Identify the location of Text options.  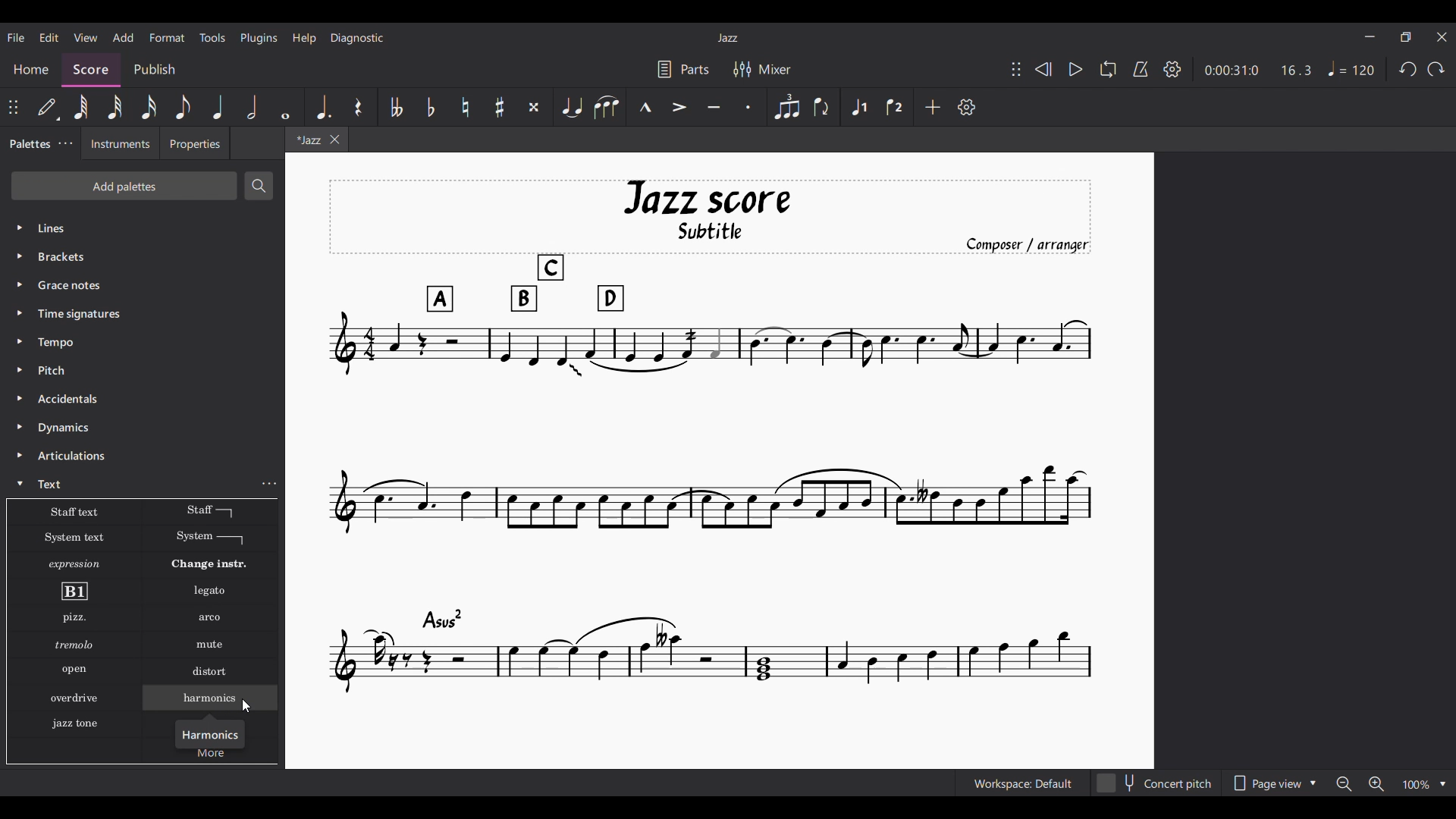
(72, 512).